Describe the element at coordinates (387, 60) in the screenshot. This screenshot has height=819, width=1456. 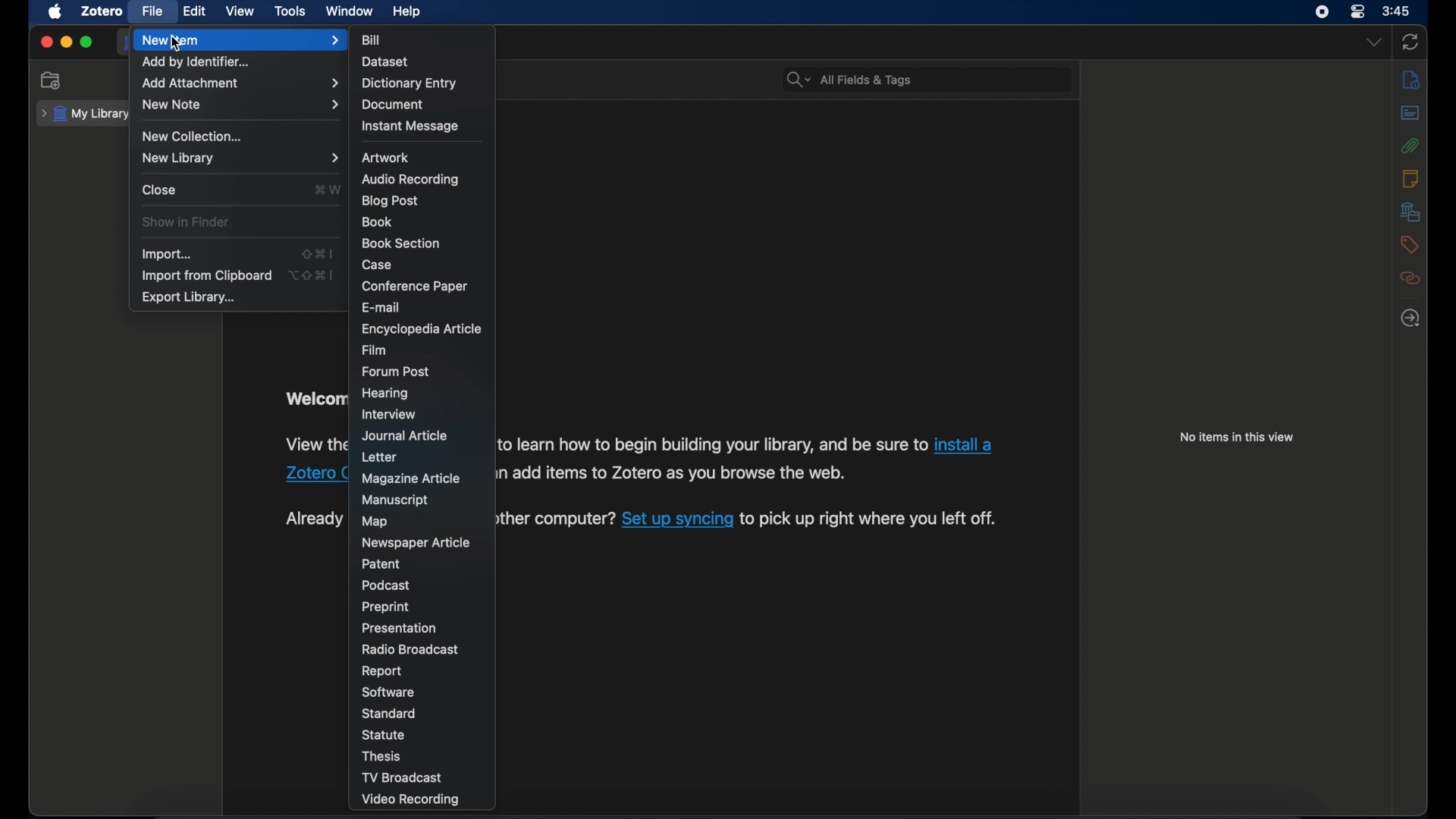
I see `dataset` at that location.